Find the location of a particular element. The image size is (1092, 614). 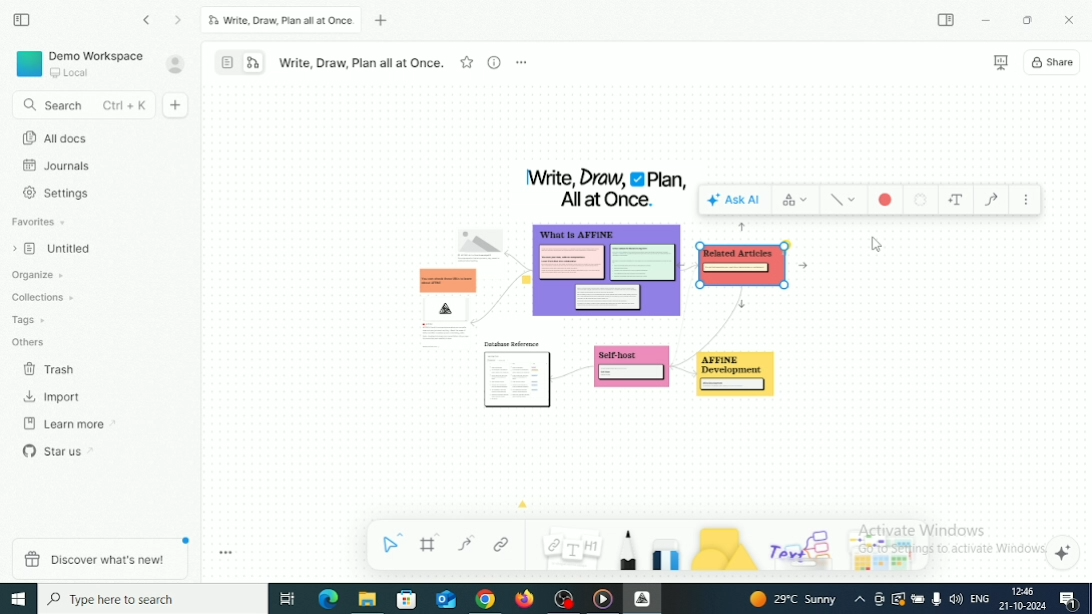

Write, Draw, Plan all at Once is located at coordinates (281, 20).